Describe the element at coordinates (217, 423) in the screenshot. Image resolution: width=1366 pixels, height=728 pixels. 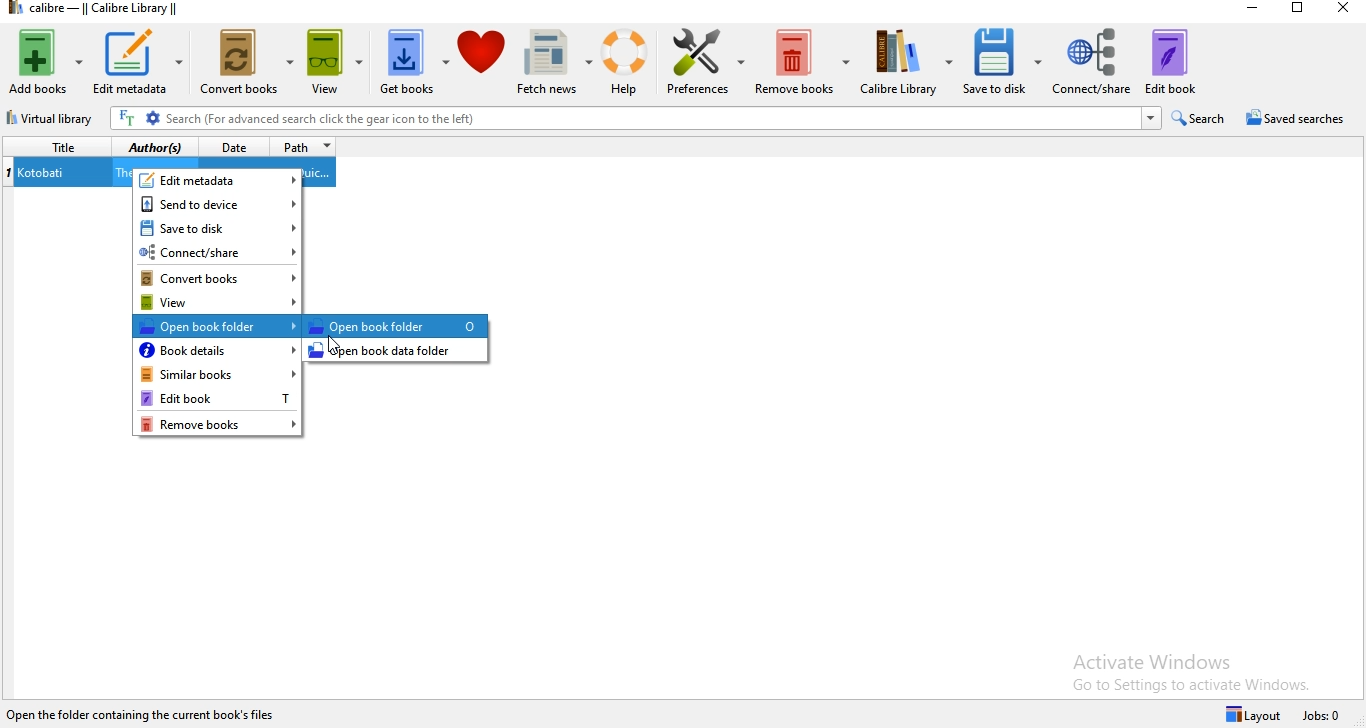
I see `remove books` at that location.